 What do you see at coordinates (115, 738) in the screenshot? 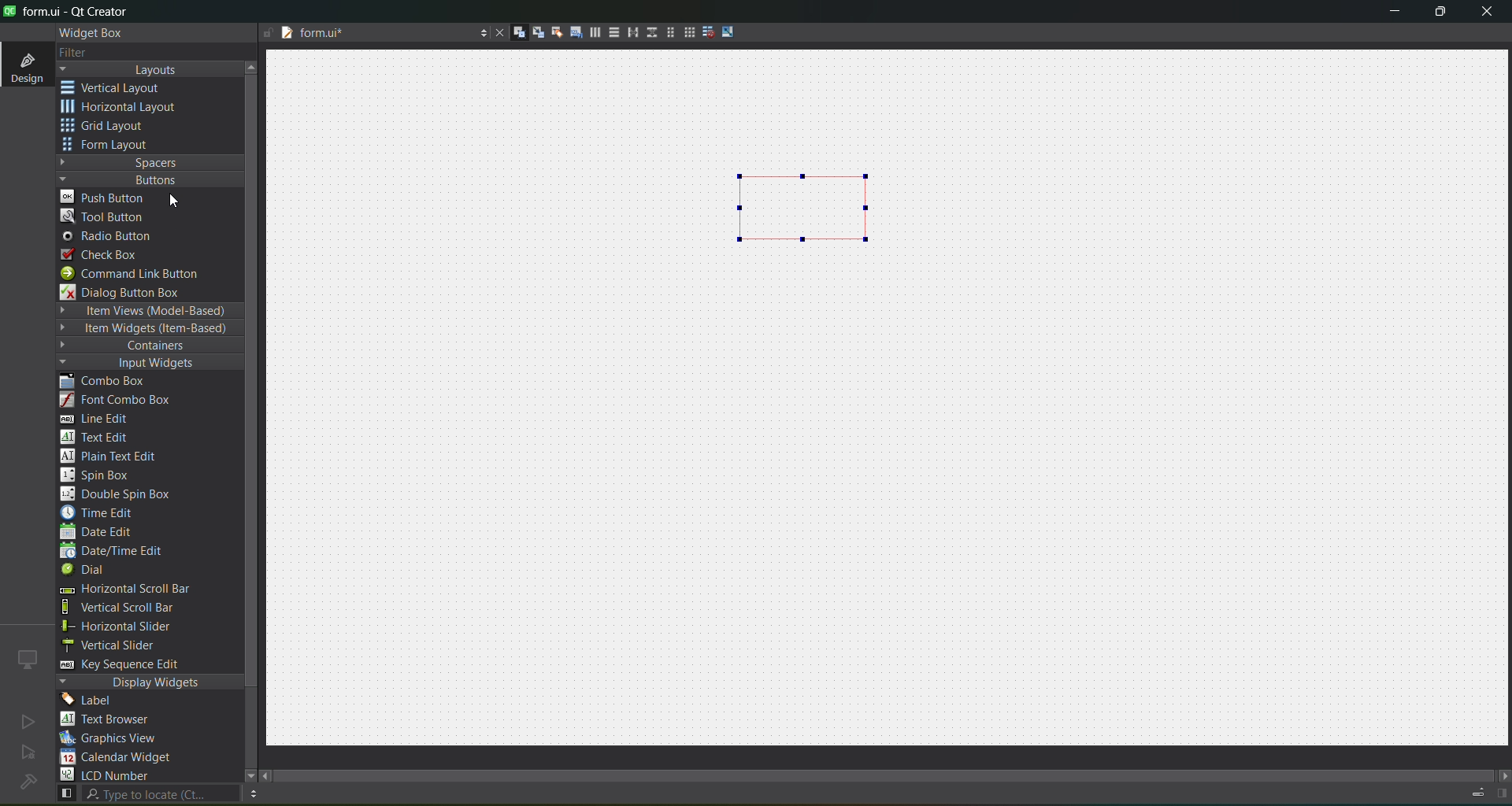
I see `graphics` at bounding box center [115, 738].